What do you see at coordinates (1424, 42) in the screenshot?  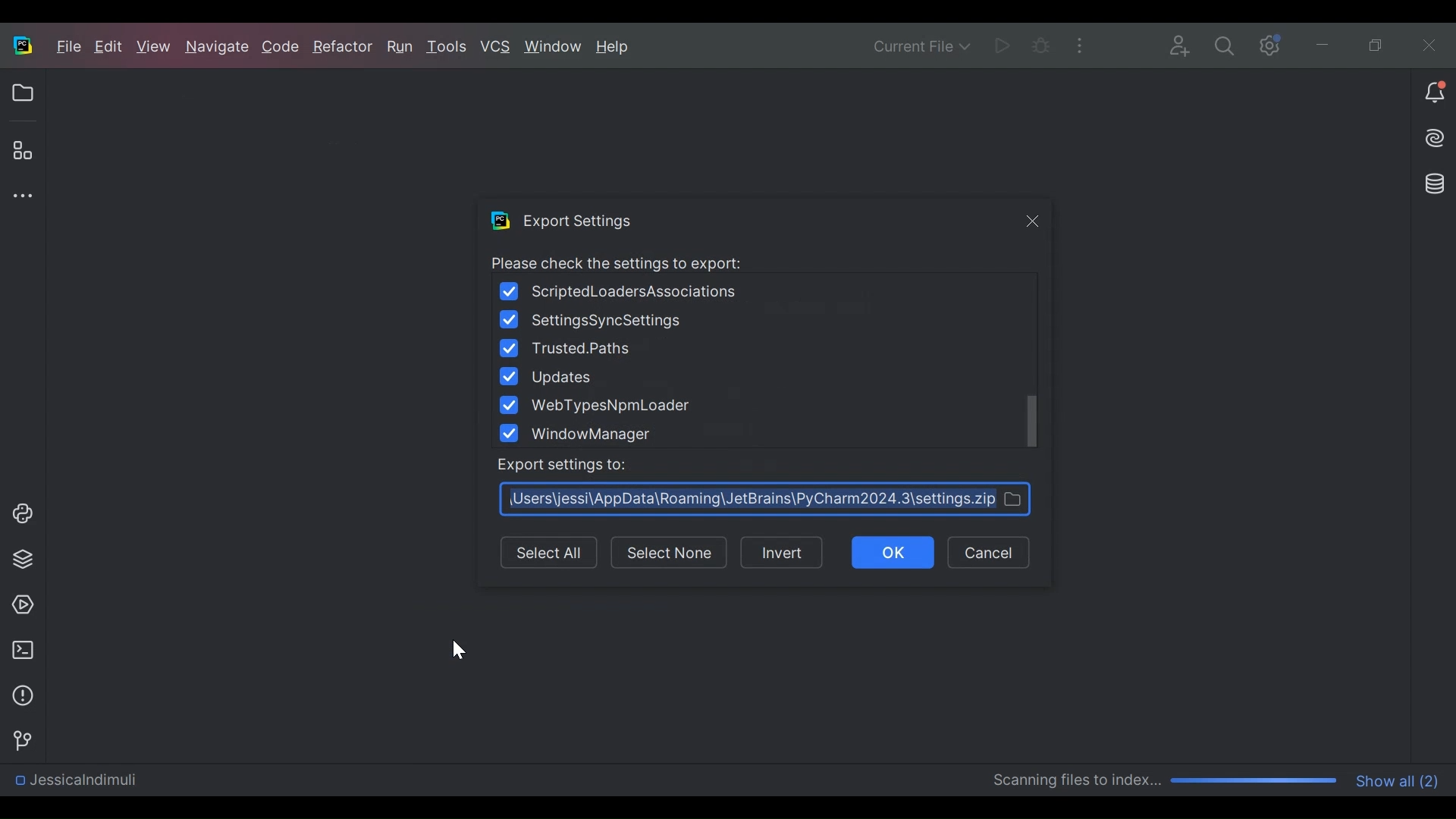 I see `Close` at bounding box center [1424, 42].